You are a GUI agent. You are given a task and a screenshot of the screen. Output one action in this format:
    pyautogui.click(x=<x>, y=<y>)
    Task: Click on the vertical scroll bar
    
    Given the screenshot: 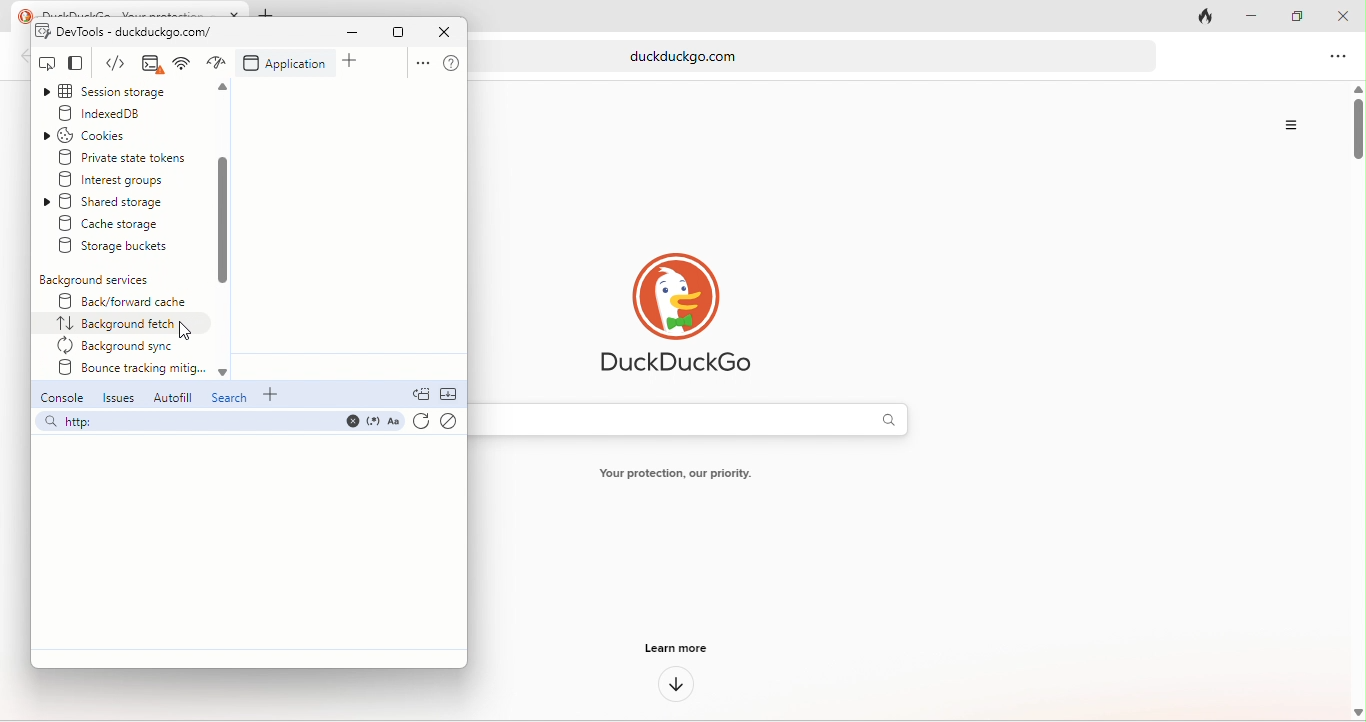 What is the action you would take?
    pyautogui.click(x=1356, y=133)
    